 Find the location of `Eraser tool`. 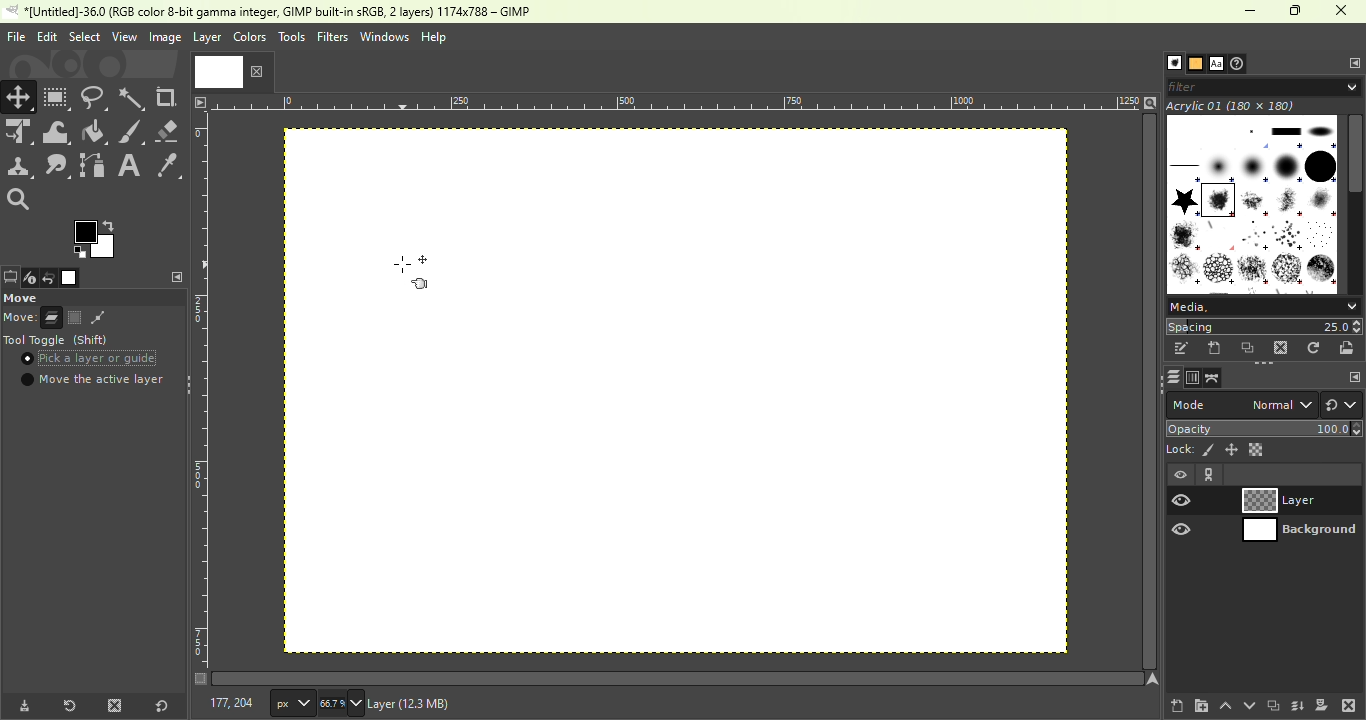

Eraser tool is located at coordinates (169, 131).